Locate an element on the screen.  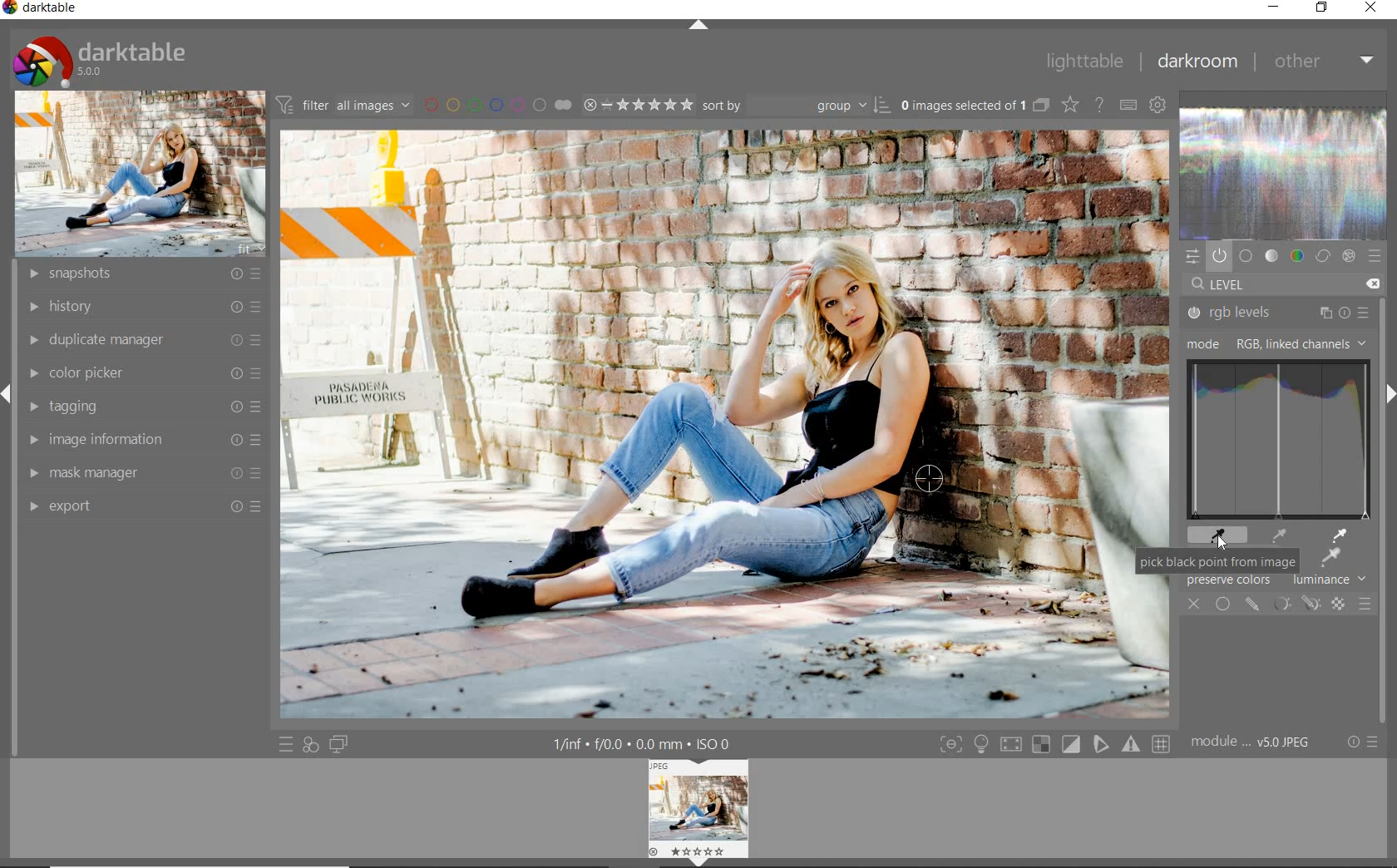
scrollbar is located at coordinates (1383, 334).